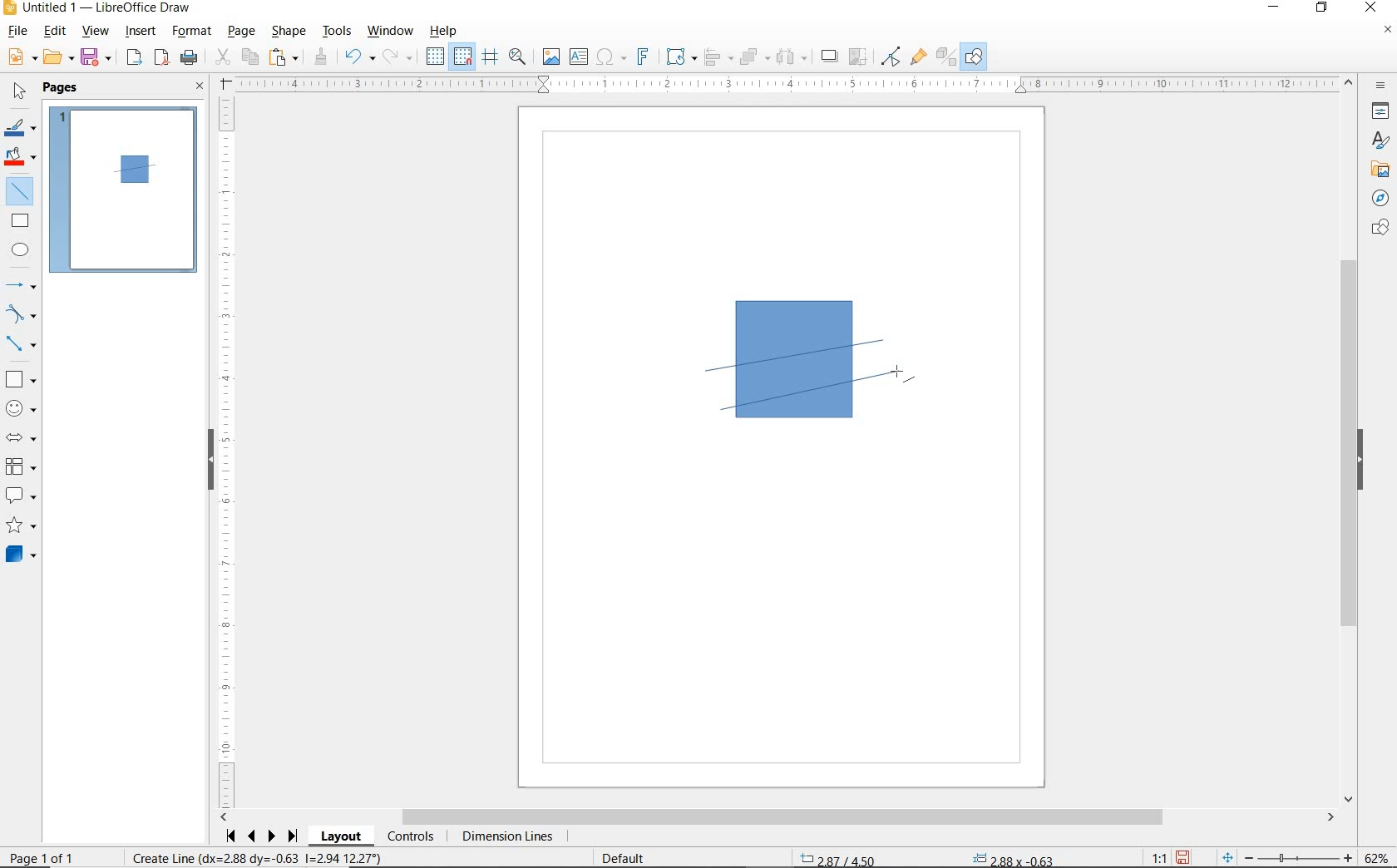  What do you see at coordinates (22, 249) in the screenshot?
I see `ELLIPSE` at bounding box center [22, 249].